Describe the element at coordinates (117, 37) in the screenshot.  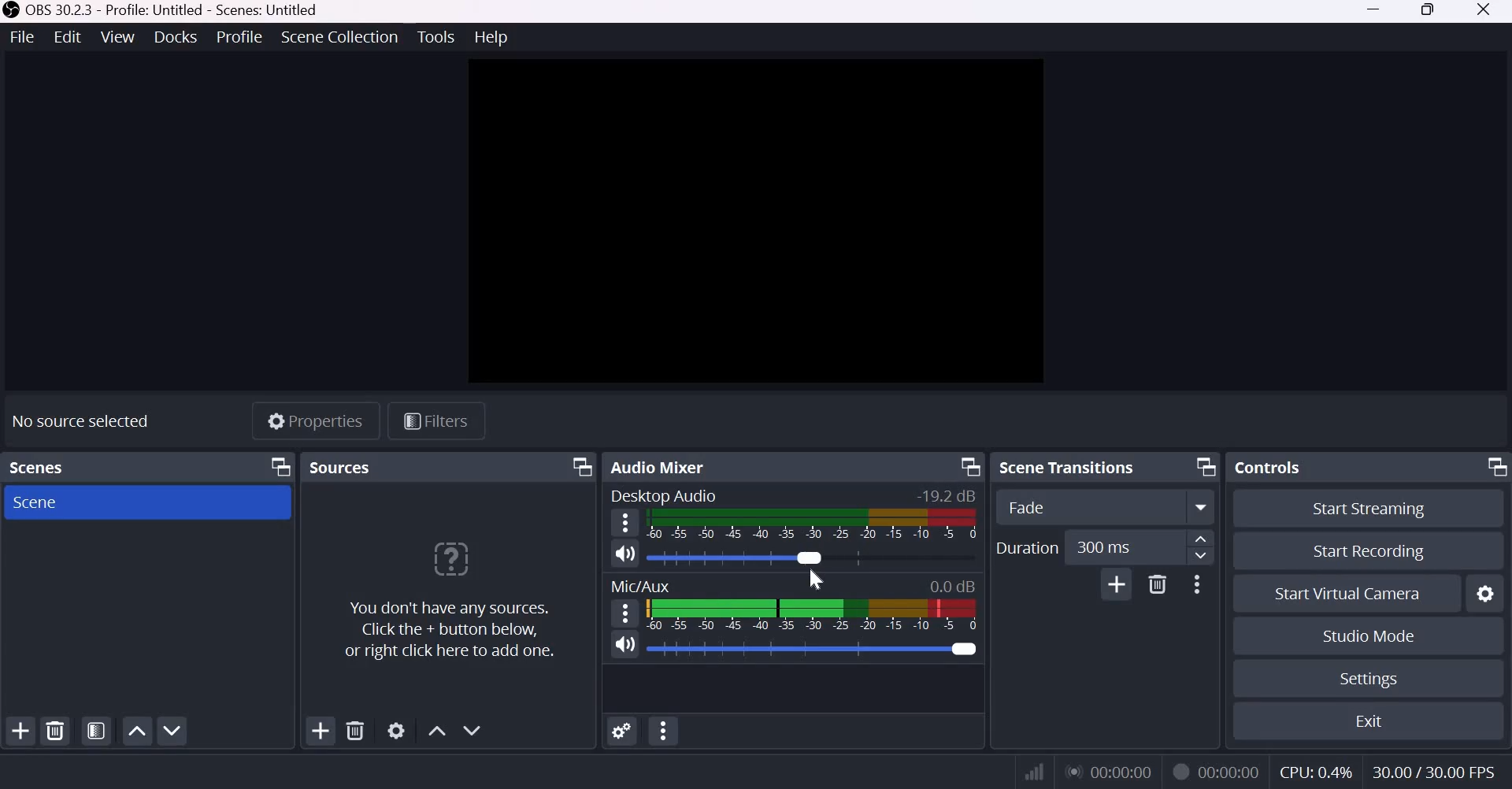
I see `View` at that location.